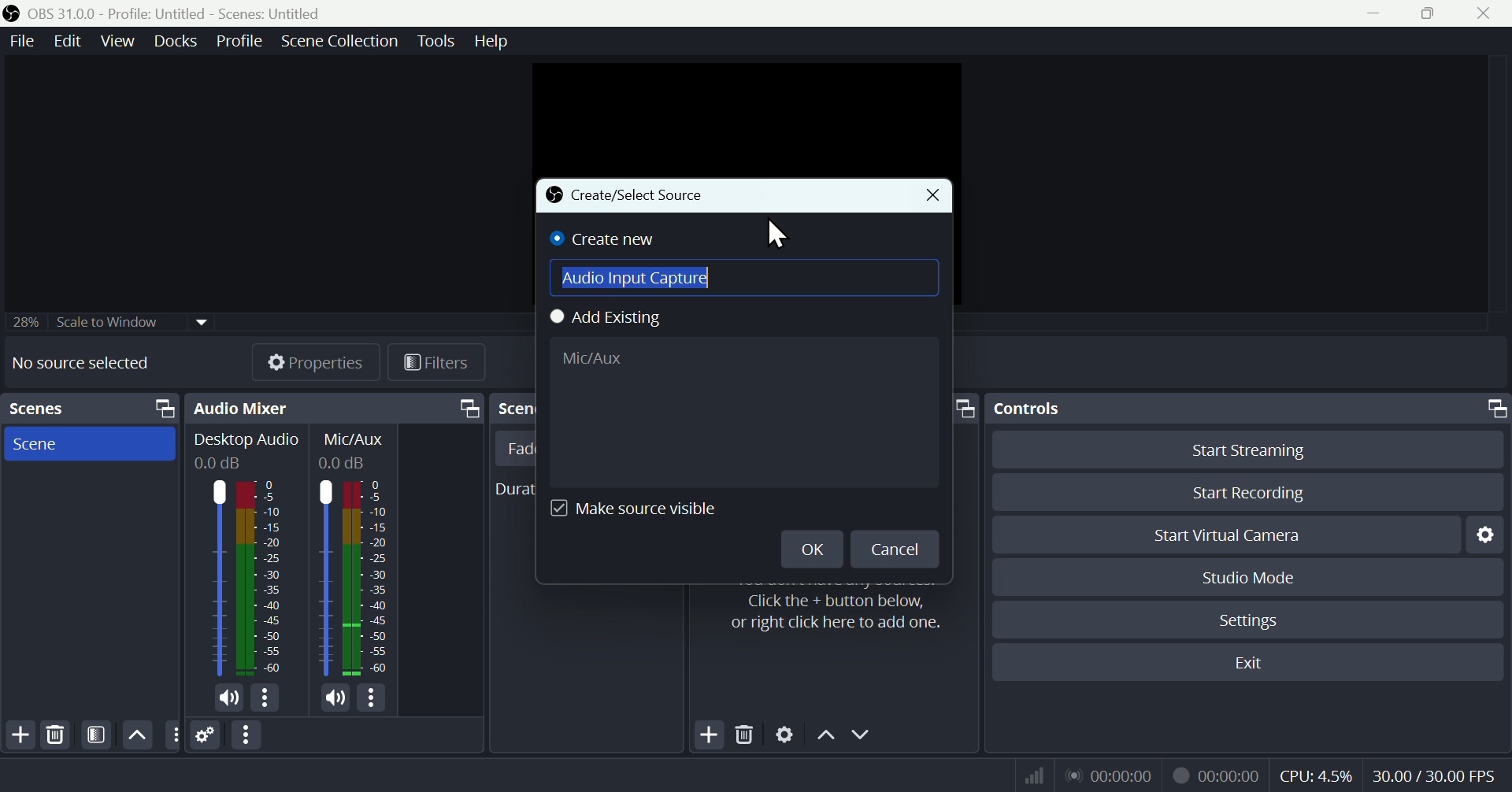 This screenshot has width=1512, height=792. I want to click on More options, so click(248, 735).